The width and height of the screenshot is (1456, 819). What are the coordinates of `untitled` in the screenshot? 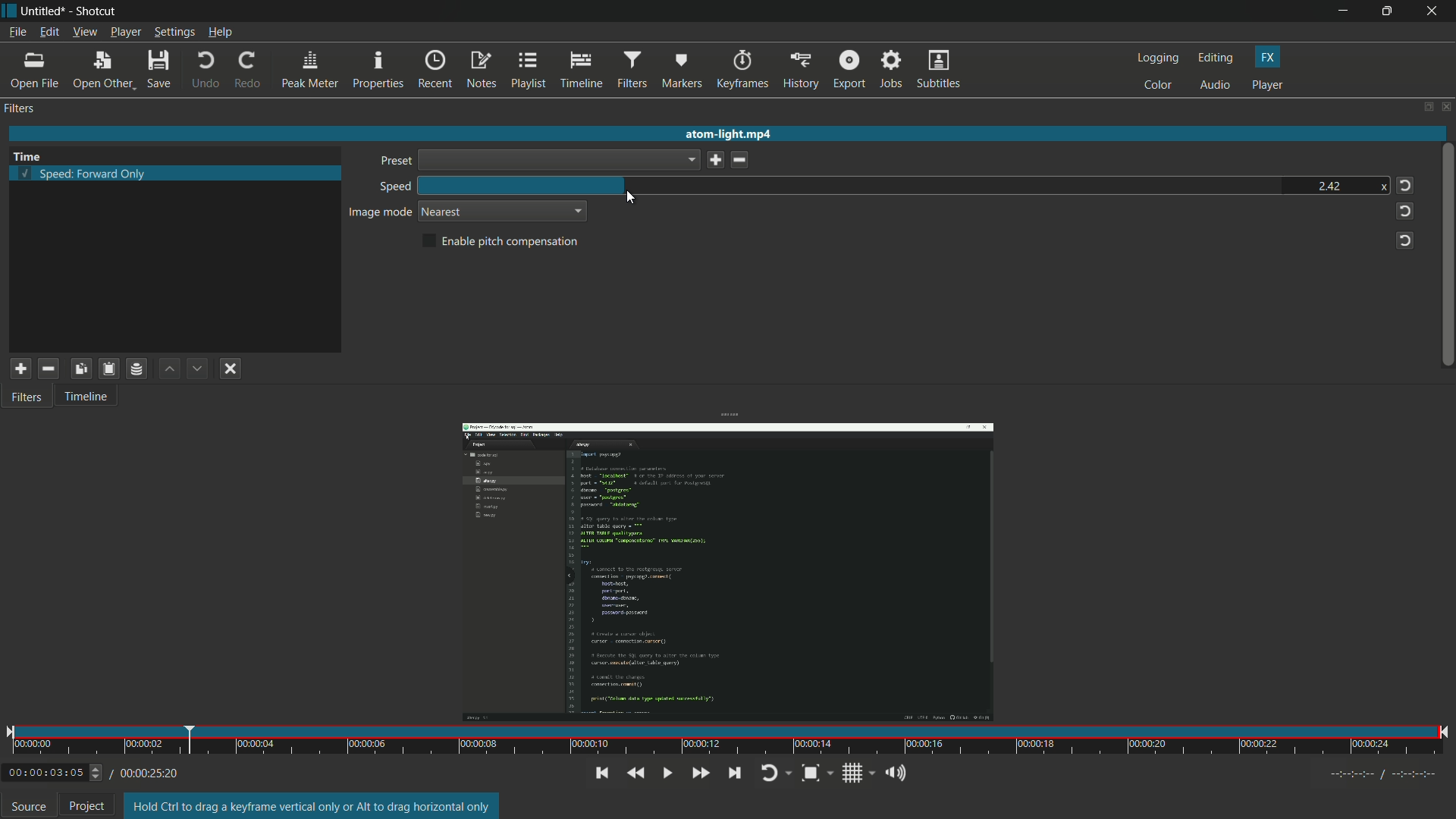 It's located at (44, 10).